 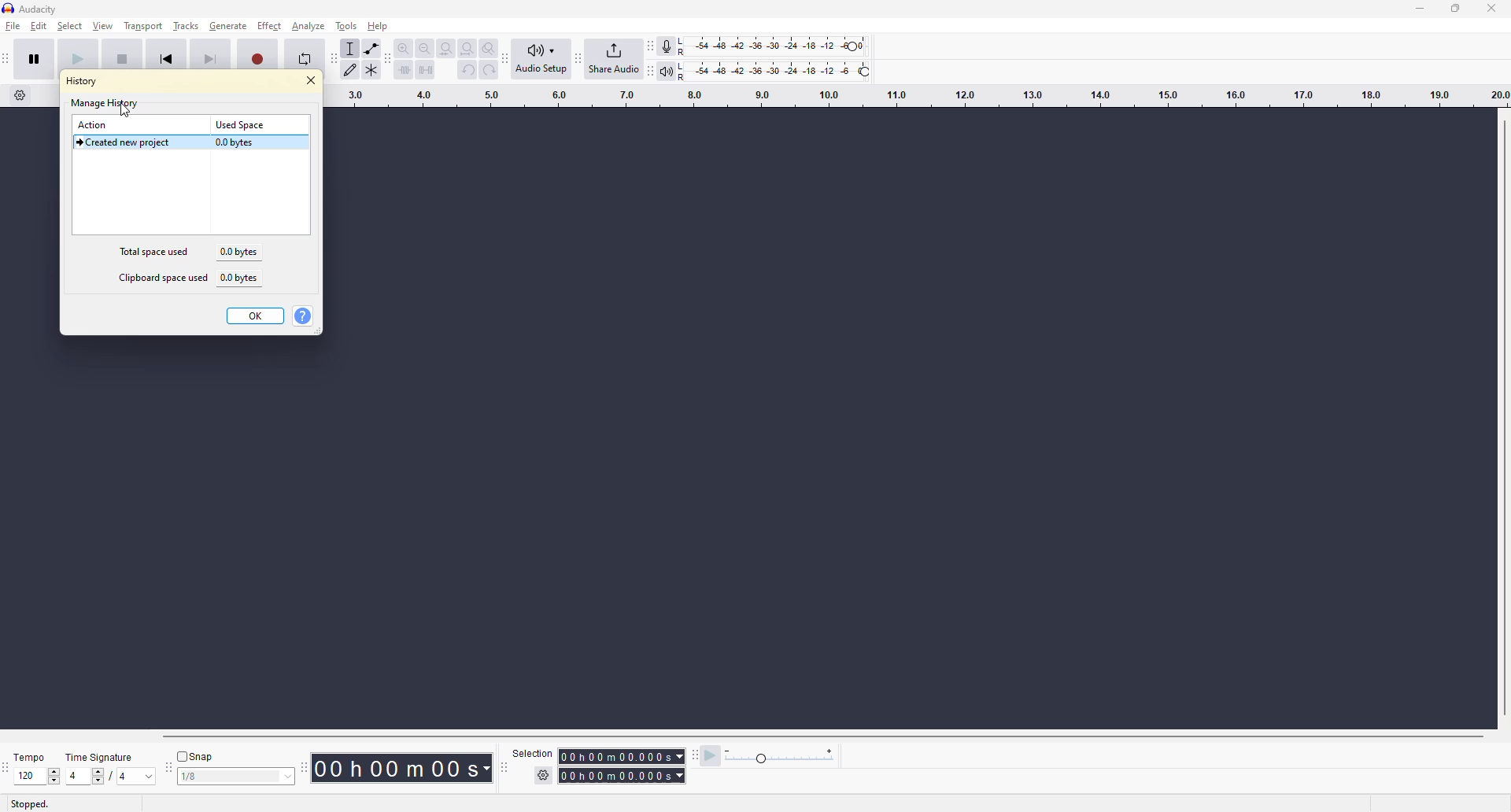 What do you see at coordinates (125, 112) in the screenshot?
I see `cursor` at bounding box center [125, 112].